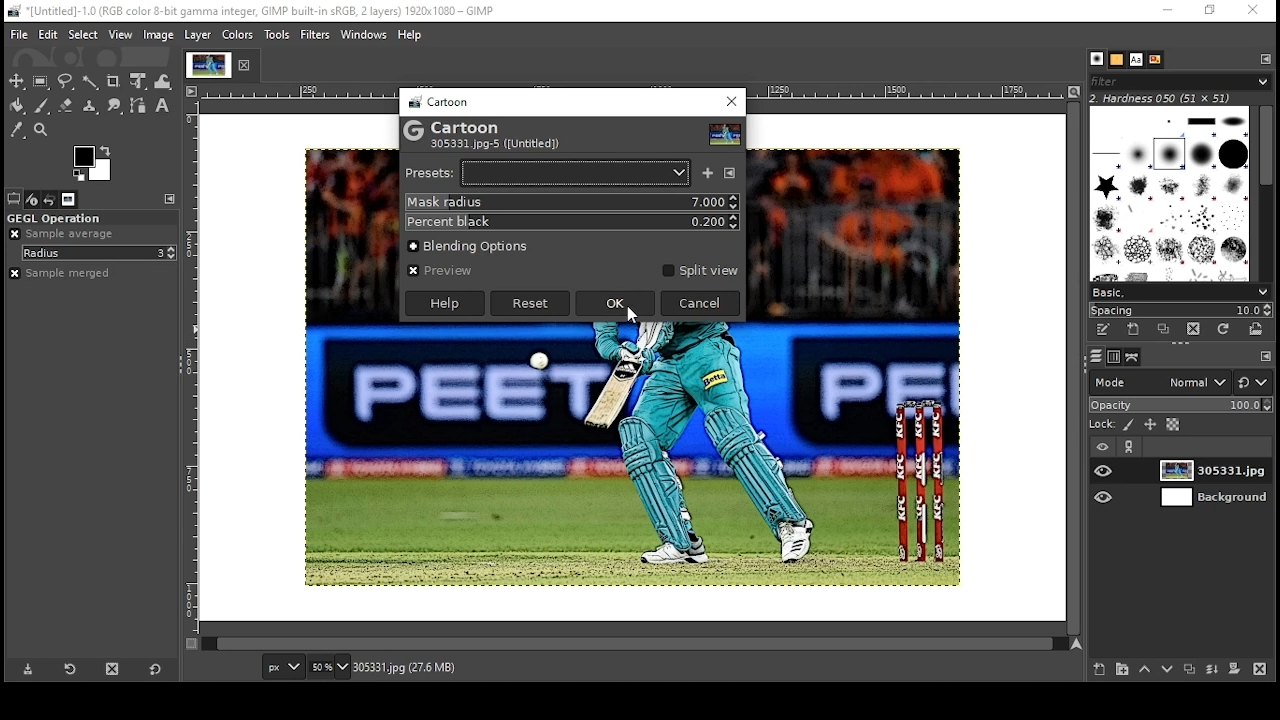 The height and width of the screenshot is (720, 1280). I want to click on scroll bar, so click(633, 645).